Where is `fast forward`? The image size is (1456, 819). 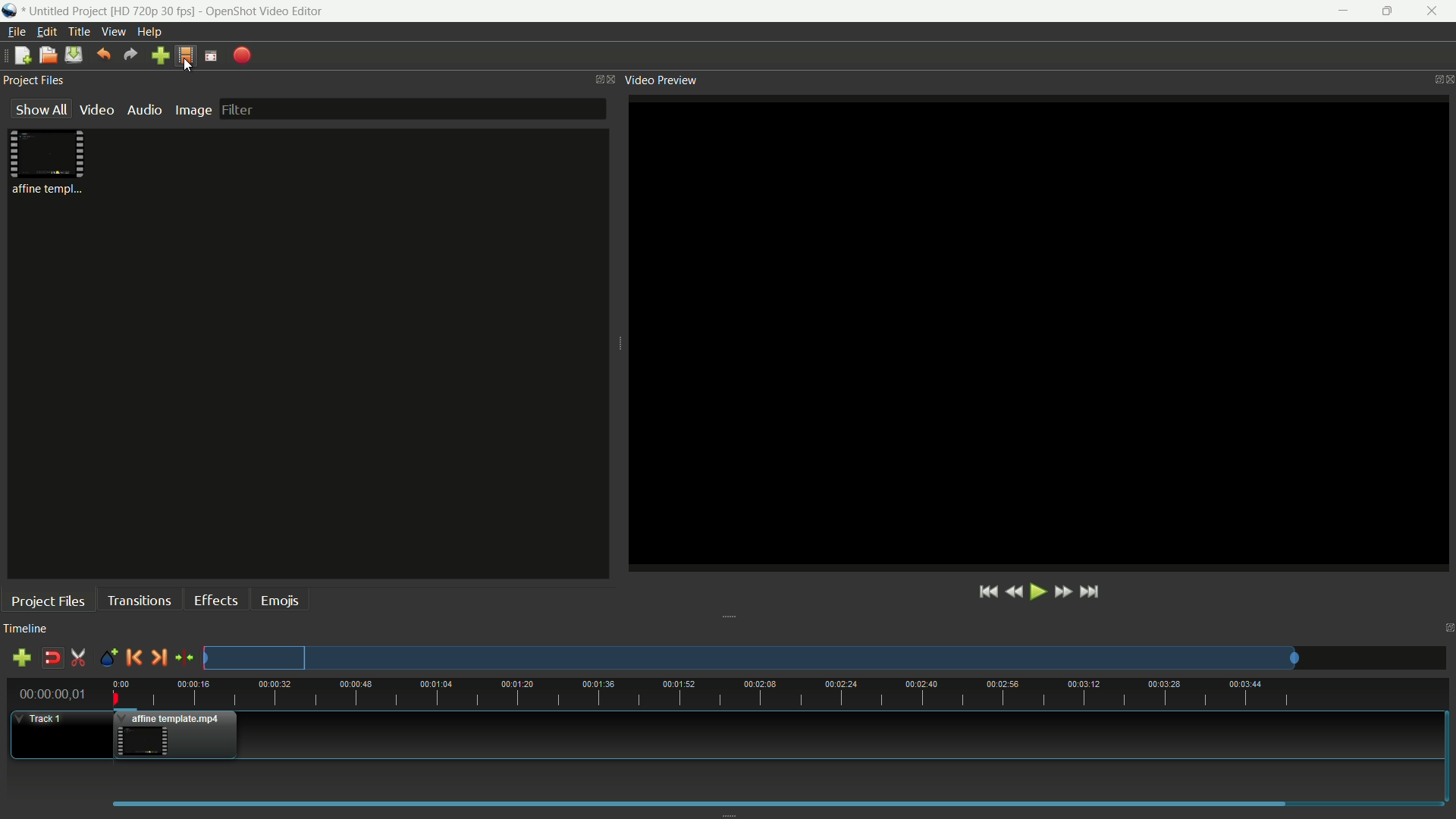 fast forward is located at coordinates (1062, 591).